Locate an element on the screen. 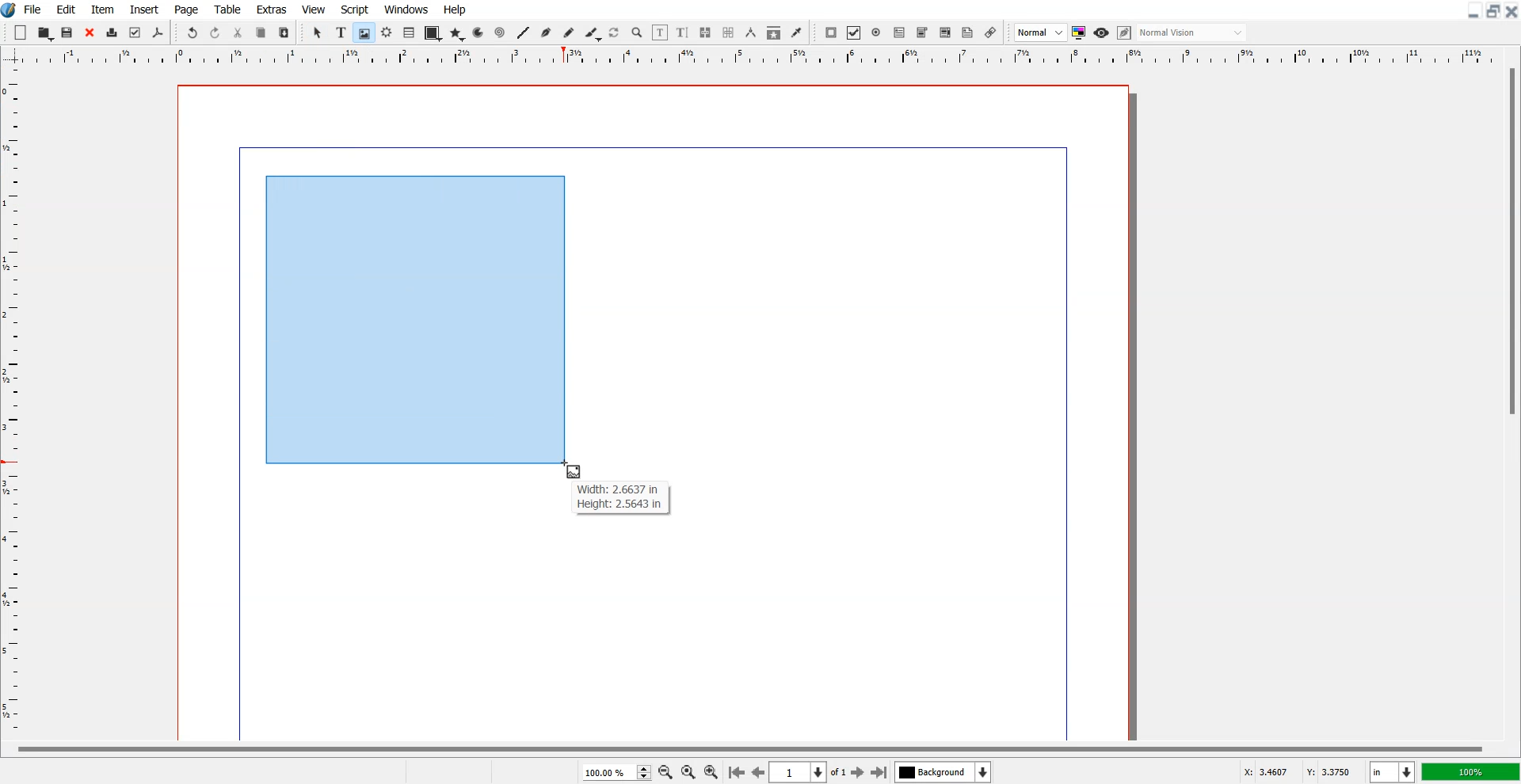 This screenshot has width=1521, height=784. PDF Radio Button is located at coordinates (876, 32).